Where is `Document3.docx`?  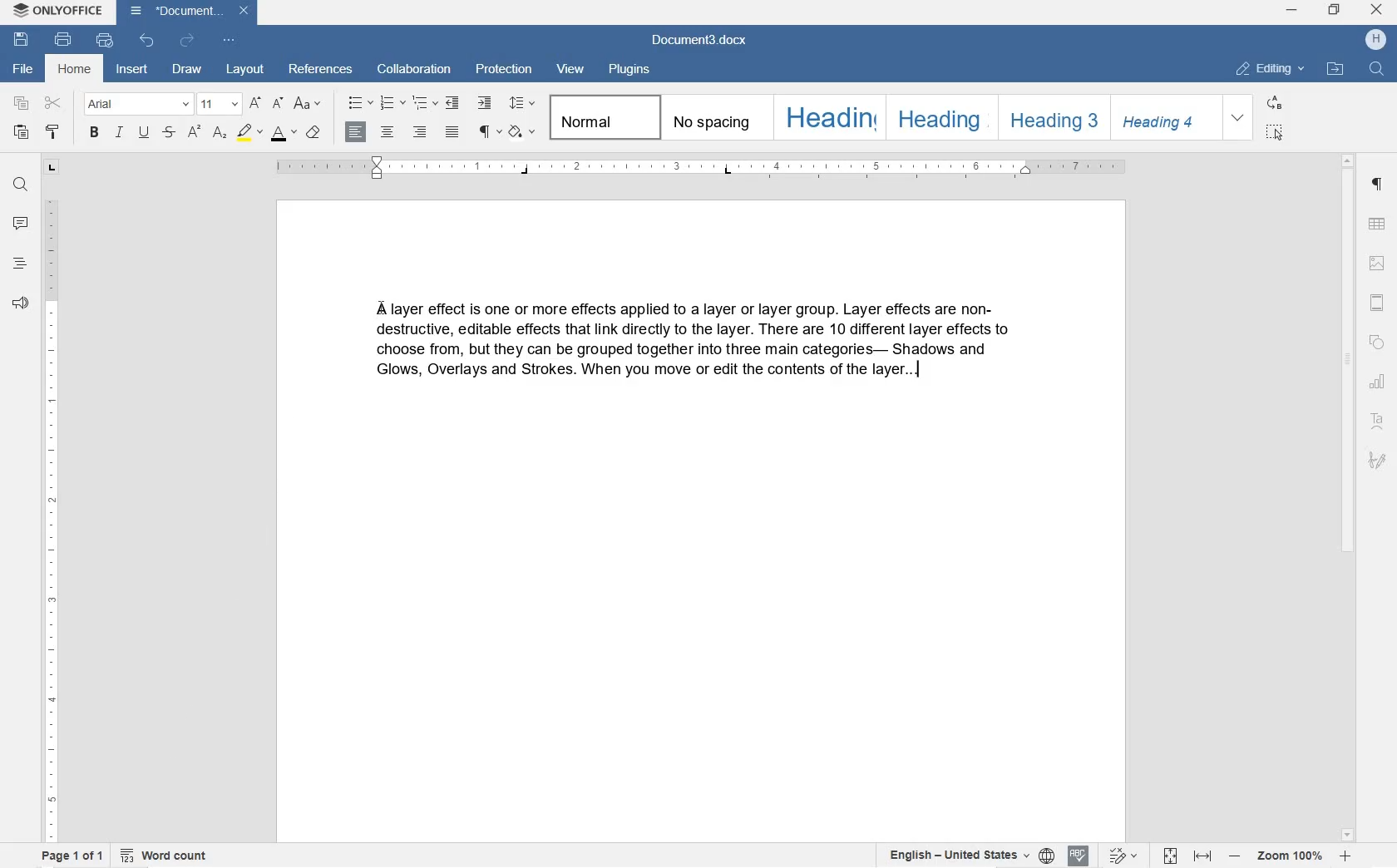 Document3.docx is located at coordinates (701, 40).